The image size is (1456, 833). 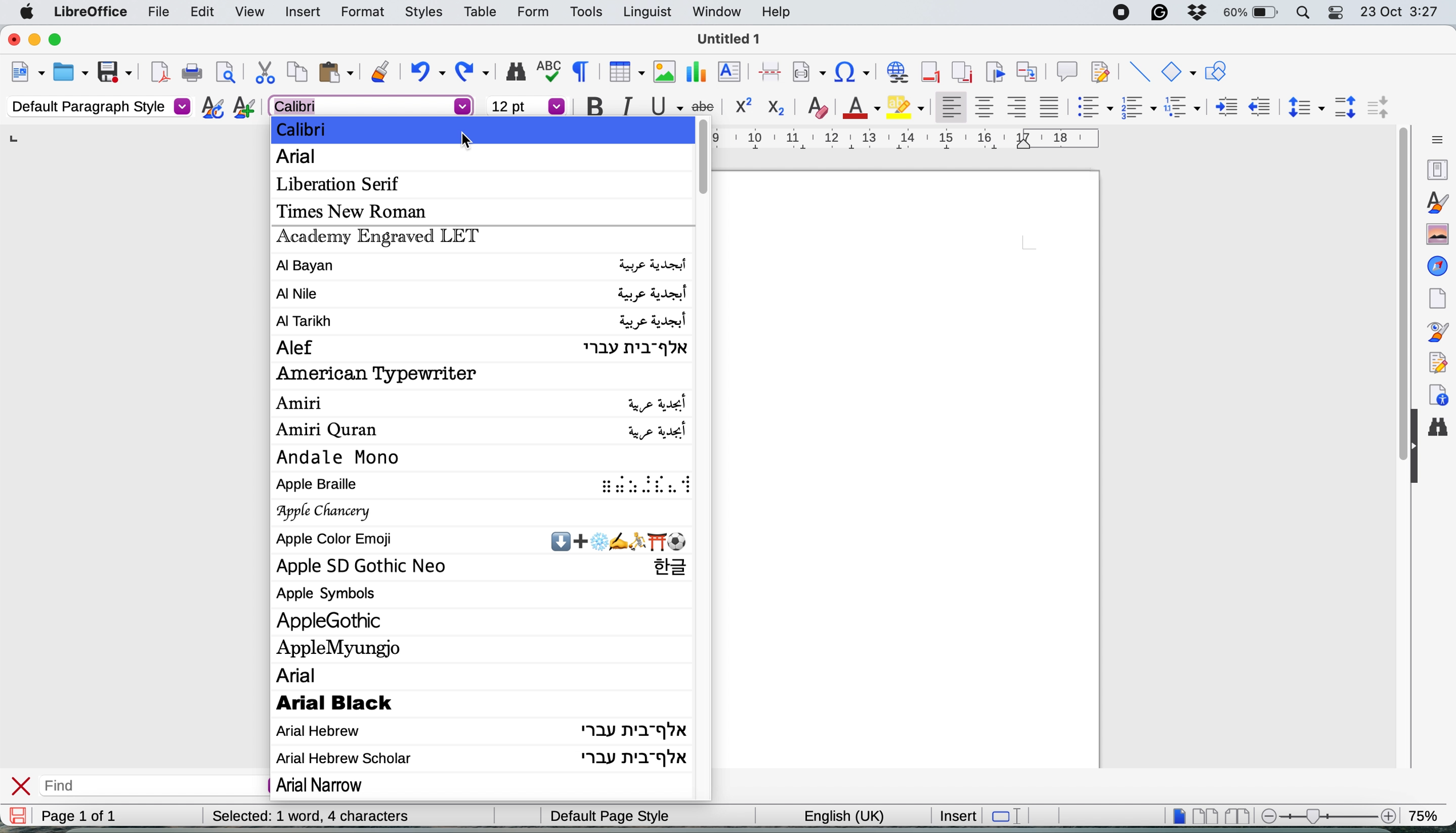 I want to click on word and character count, so click(x=345, y=814).